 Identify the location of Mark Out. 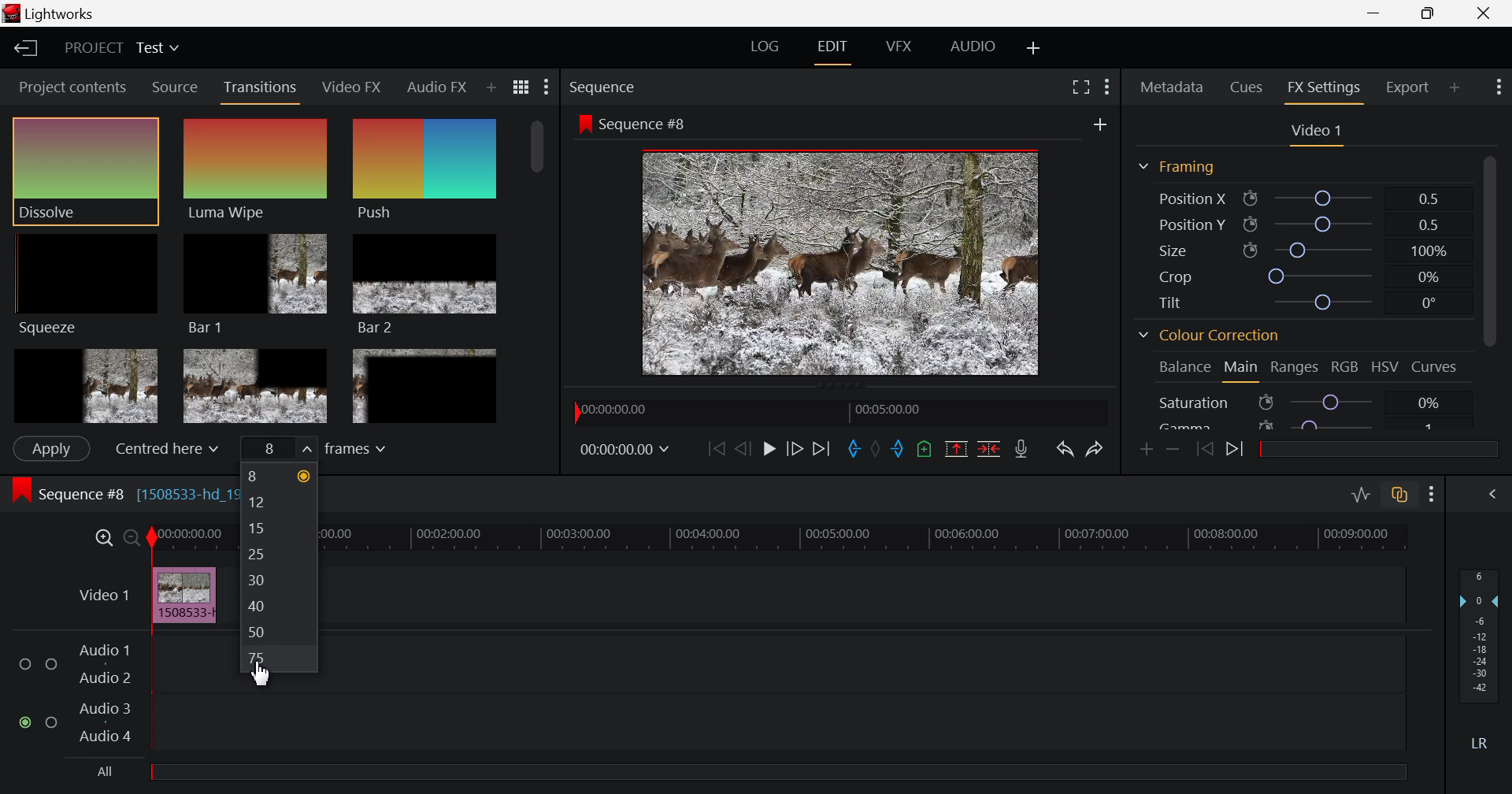
(898, 451).